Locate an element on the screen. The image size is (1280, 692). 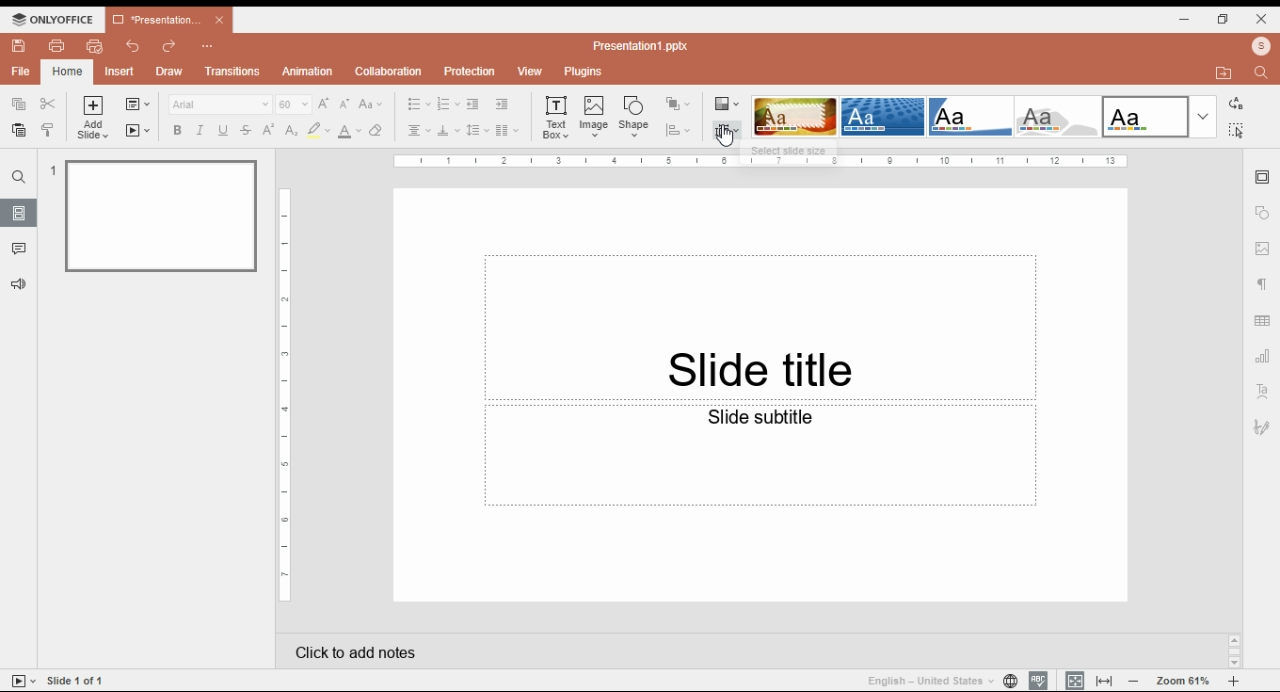
collaboration is located at coordinates (388, 71).